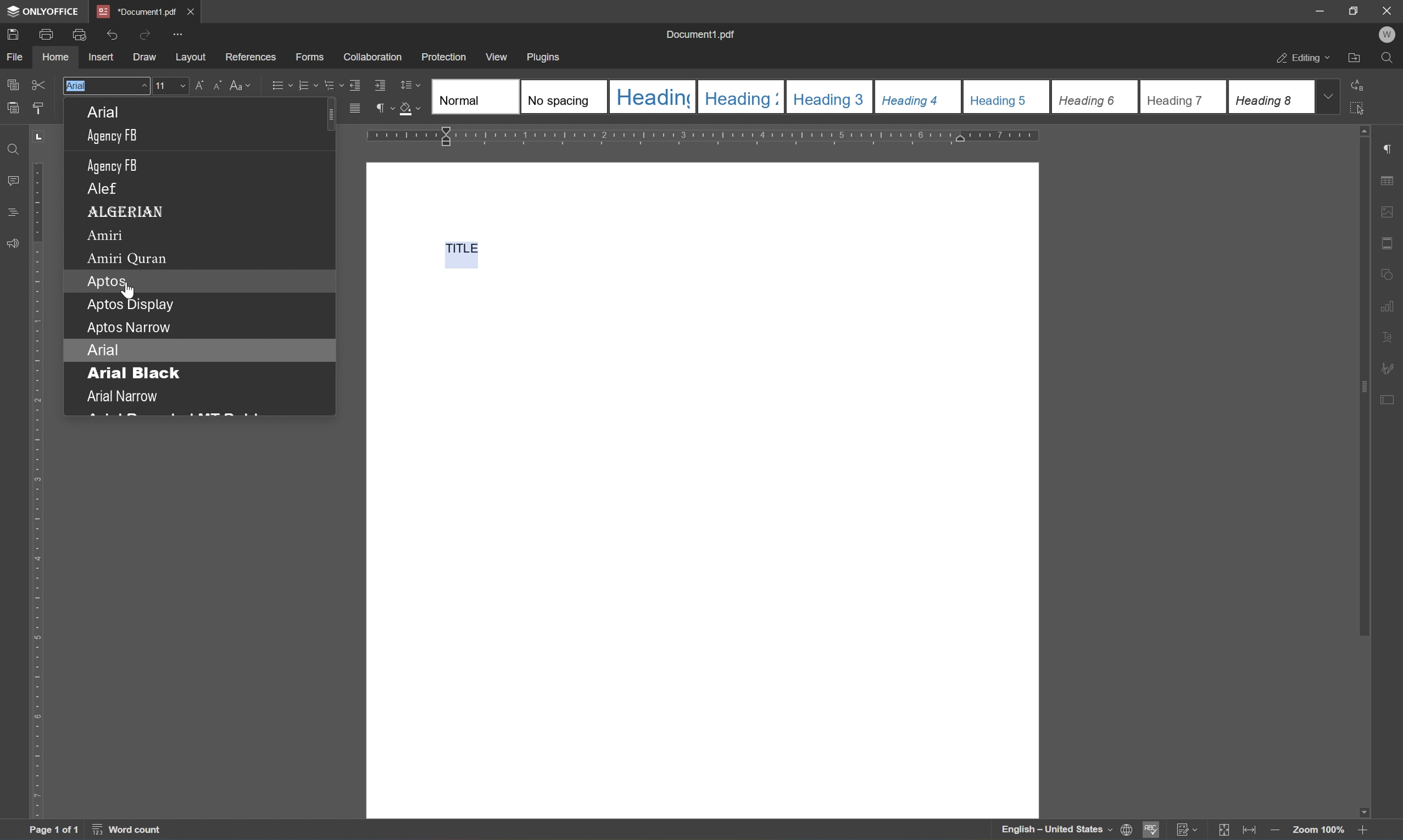 Image resolution: width=1403 pixels, height=840 pixels. What do you see at coordinates (108, 113) in the screenshot?
I see `ARIAL` at bounding box center [108, 113].